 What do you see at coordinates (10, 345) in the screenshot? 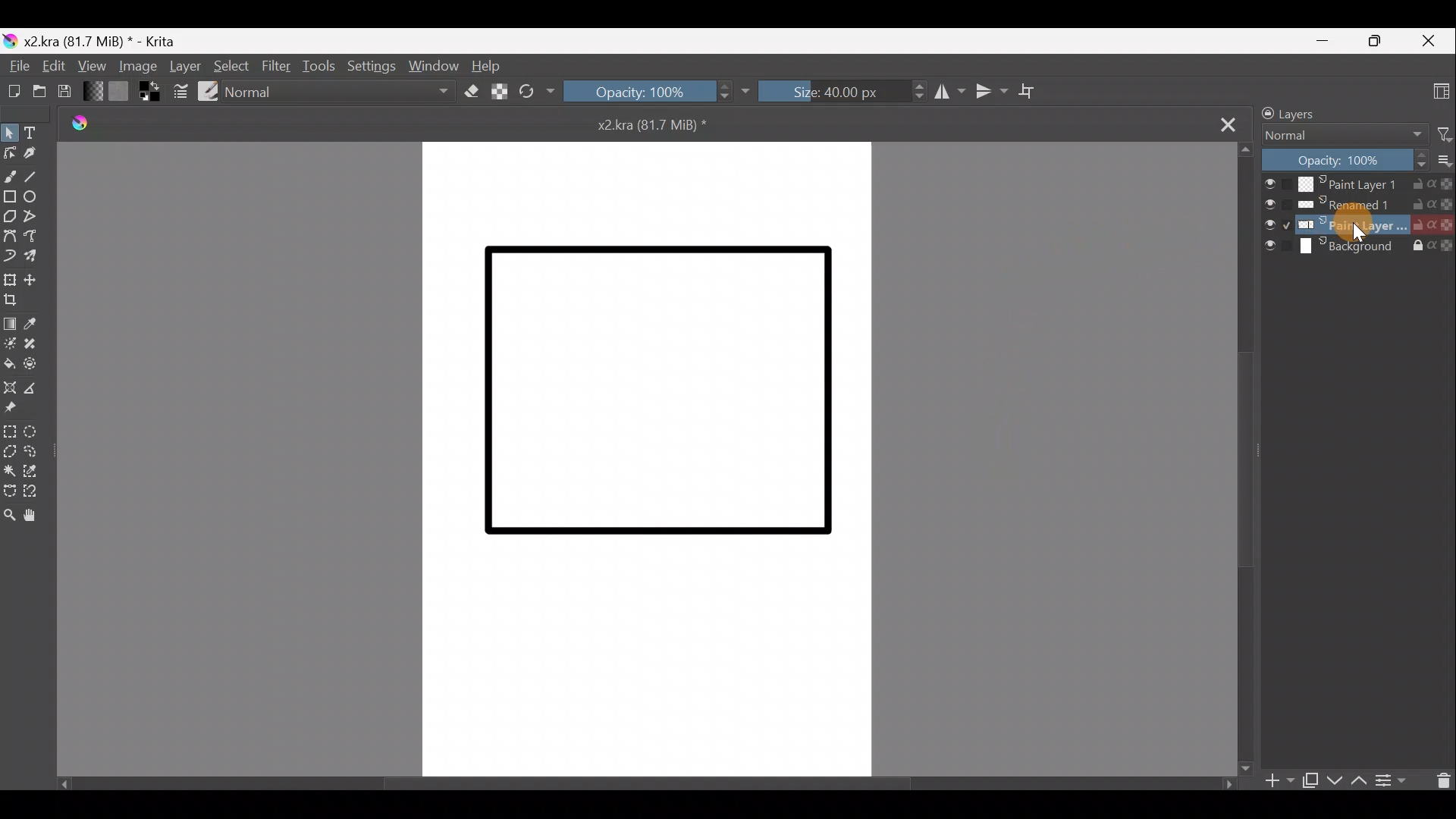
I see `Colourise mask tool` at bounding box center [10, 345].